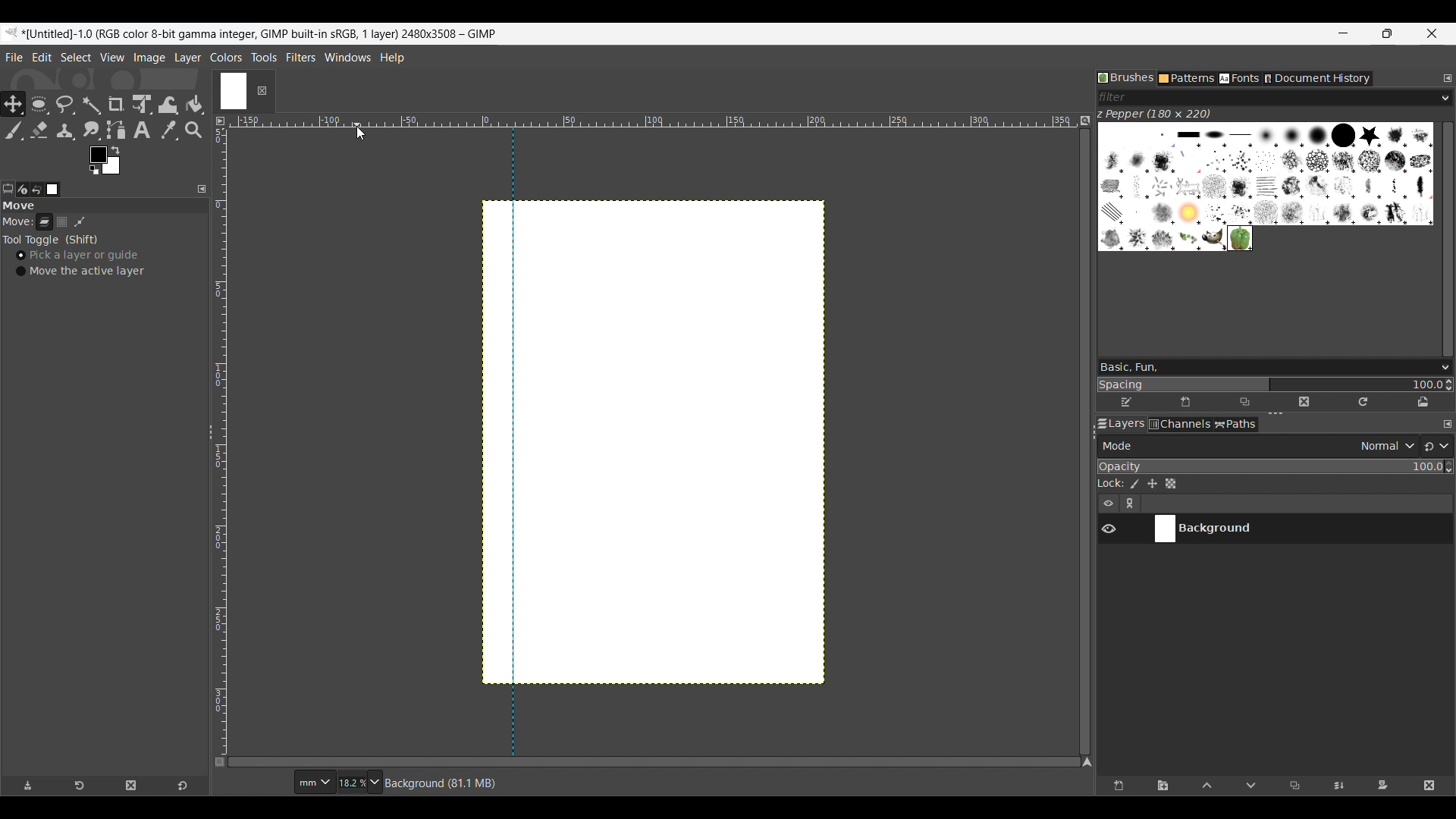 This screenshot has width=1456, height=819. What do you see at coordinates (300, 57) in the screenshot?
I see `Filters menu` at bounding box center [300, 57].